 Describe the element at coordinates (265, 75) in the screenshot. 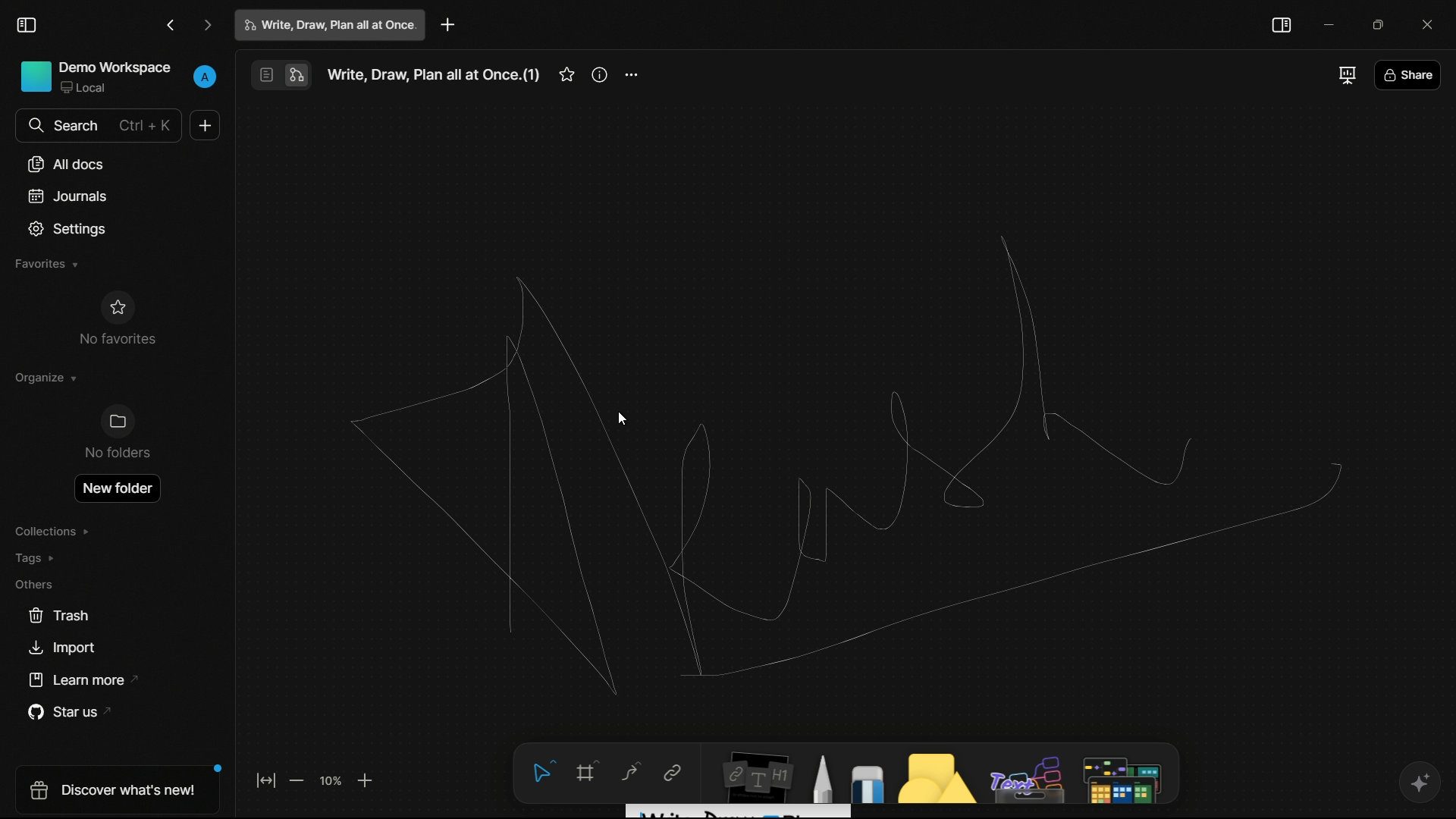

I see `page mode` at that location.